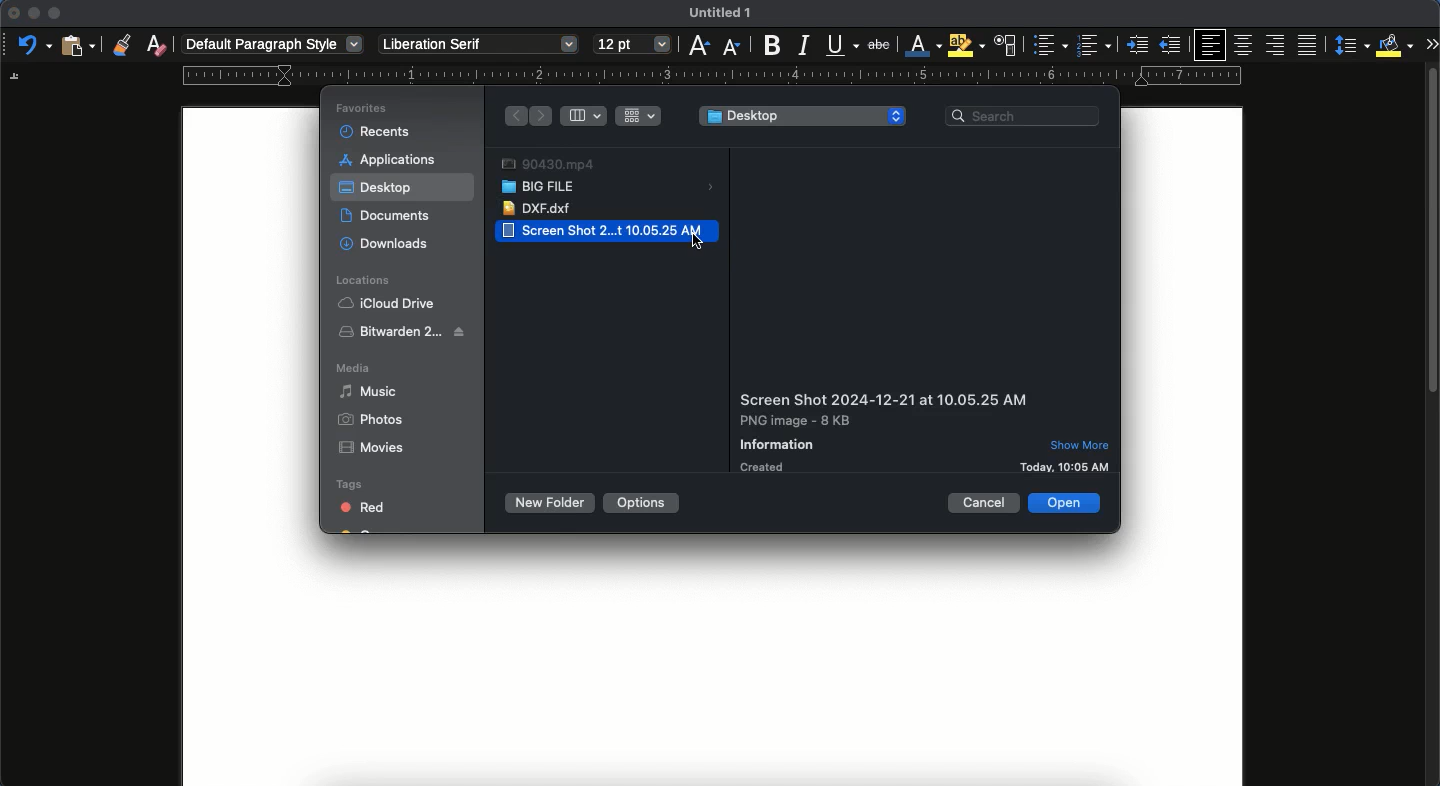 The image size is (1440, 786). Describe the element at coordinates (1026, 117) in the screenshot. I see `search` at that location.